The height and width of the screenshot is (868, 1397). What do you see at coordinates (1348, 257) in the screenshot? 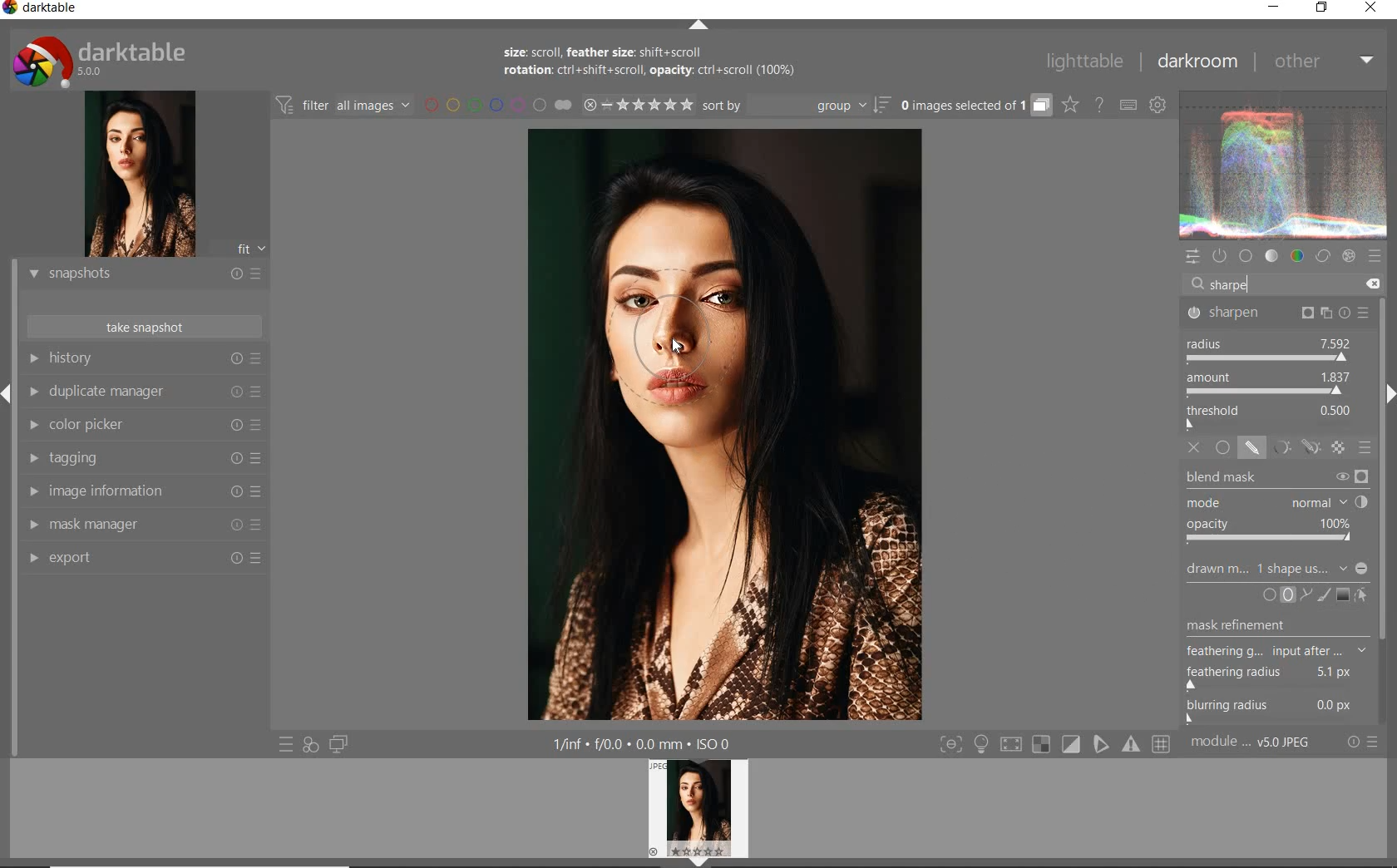
I see `effect` at bounding box center [1348, 257].